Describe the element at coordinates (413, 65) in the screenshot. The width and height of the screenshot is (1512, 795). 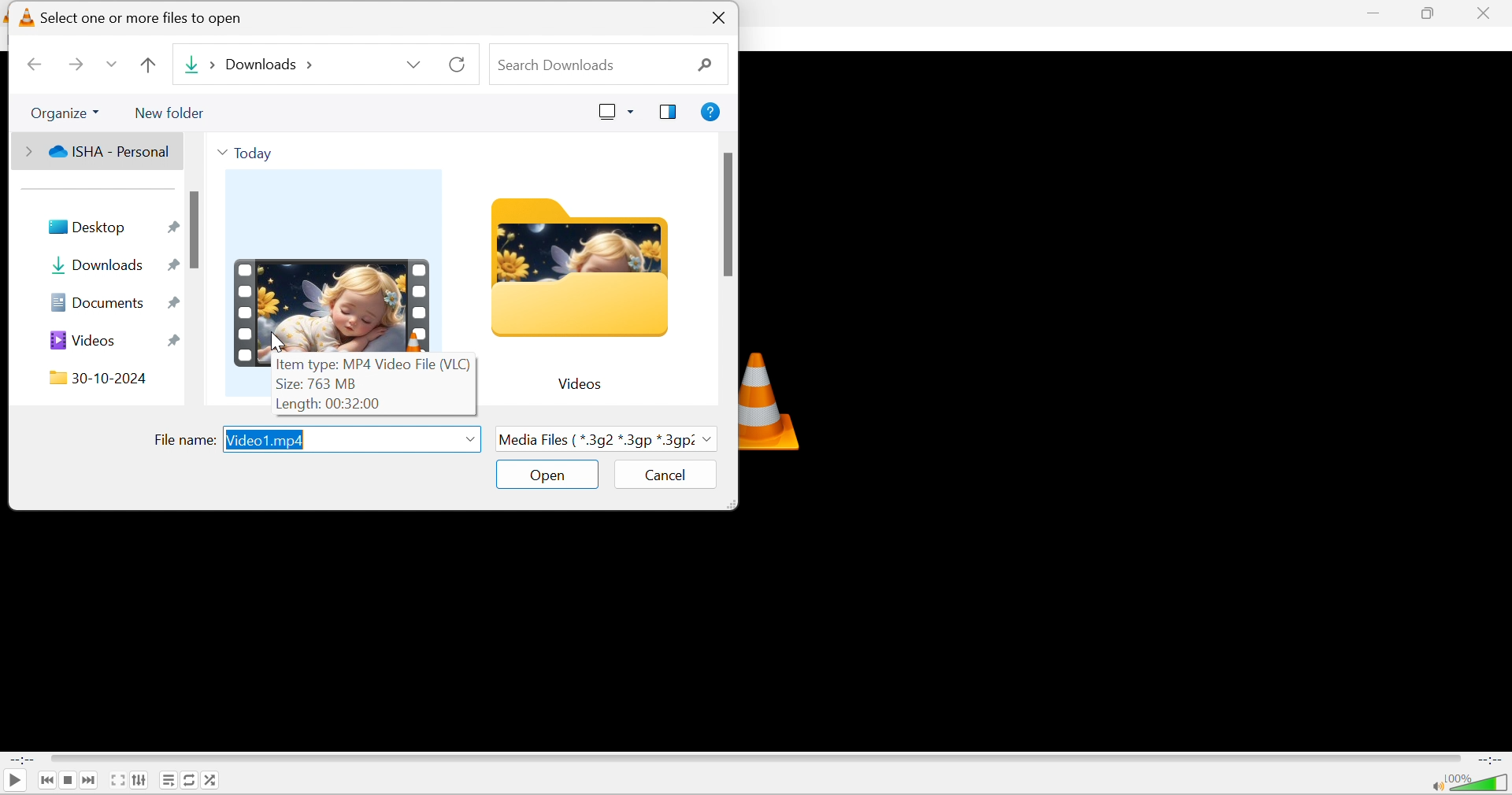
I see `Drop down` at that location.